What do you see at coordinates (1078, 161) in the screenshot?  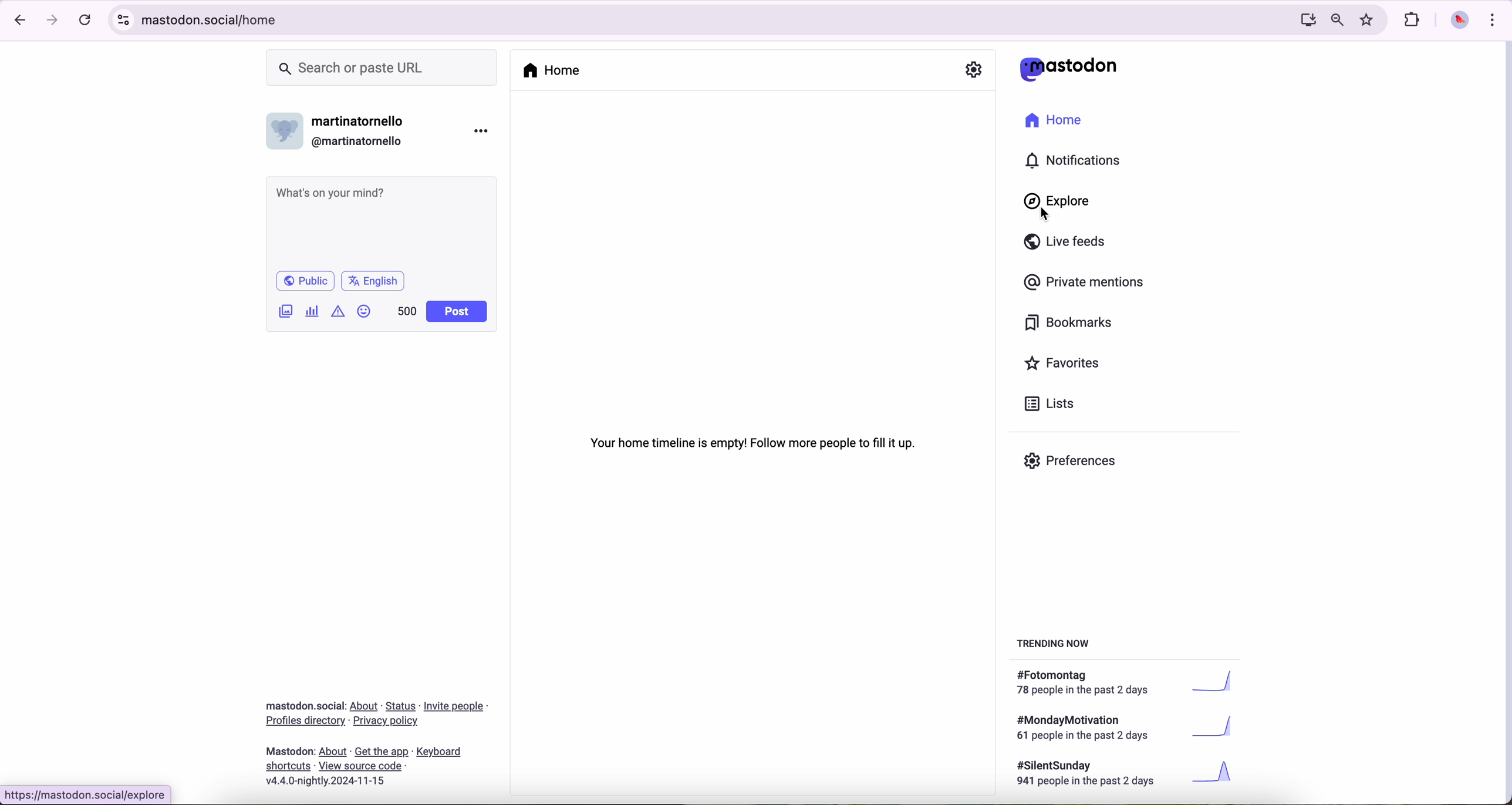 I see `notifications` at bounding box center [1078, 161].